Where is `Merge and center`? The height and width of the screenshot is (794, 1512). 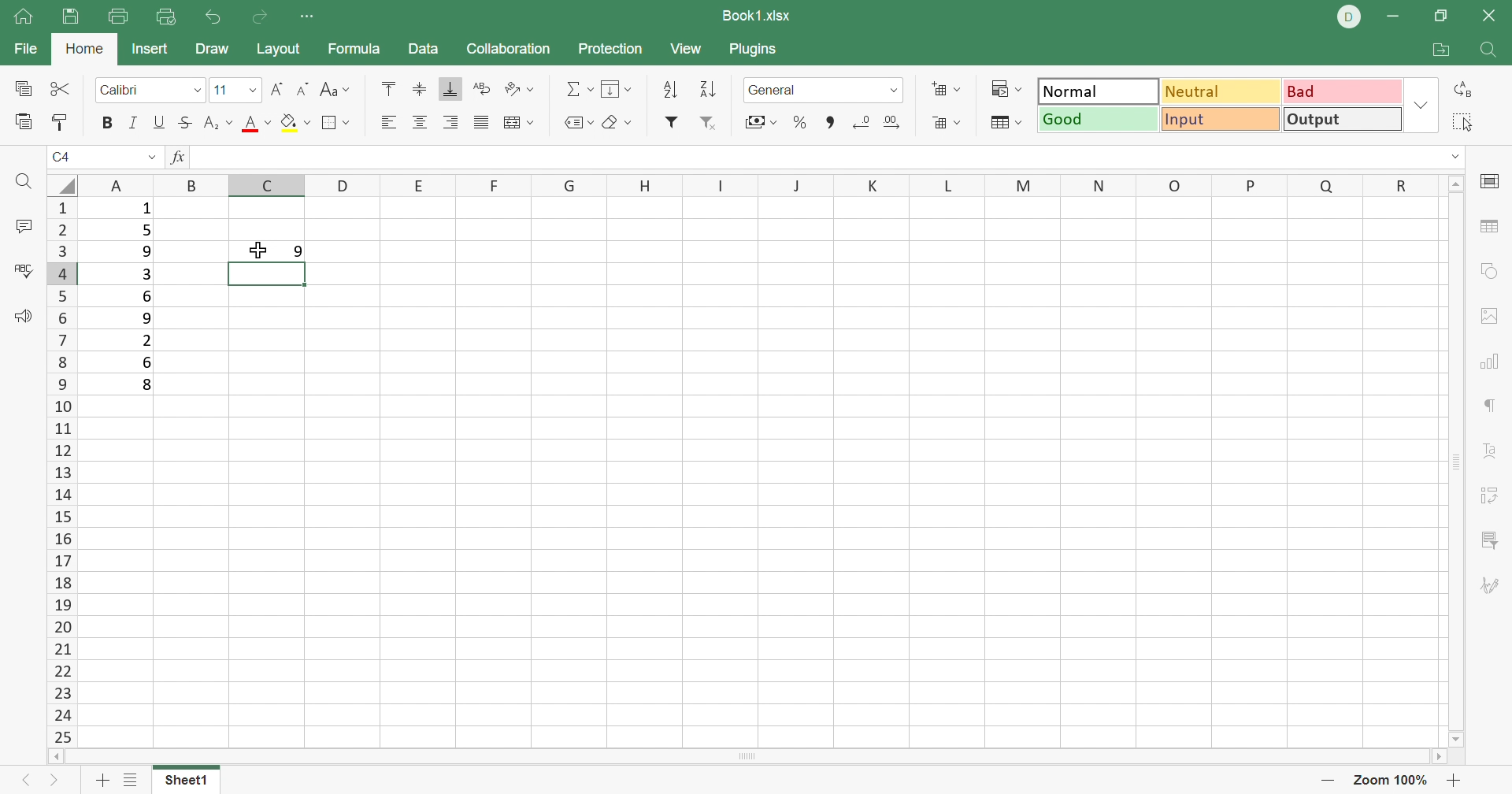
Merge and center is located at coordinates (517, 124).